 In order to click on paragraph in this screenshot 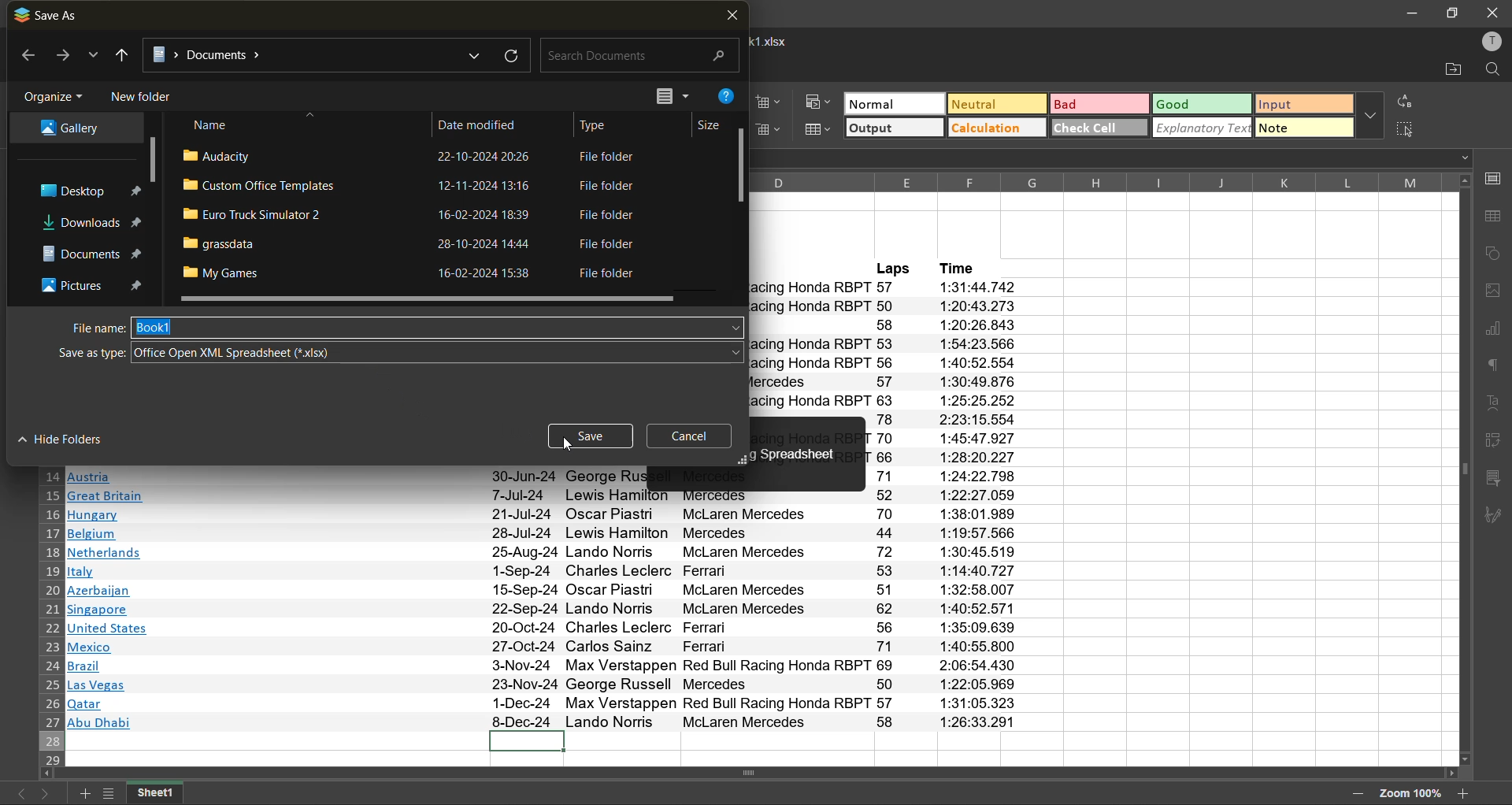, I will do `click(1497, 365)`.